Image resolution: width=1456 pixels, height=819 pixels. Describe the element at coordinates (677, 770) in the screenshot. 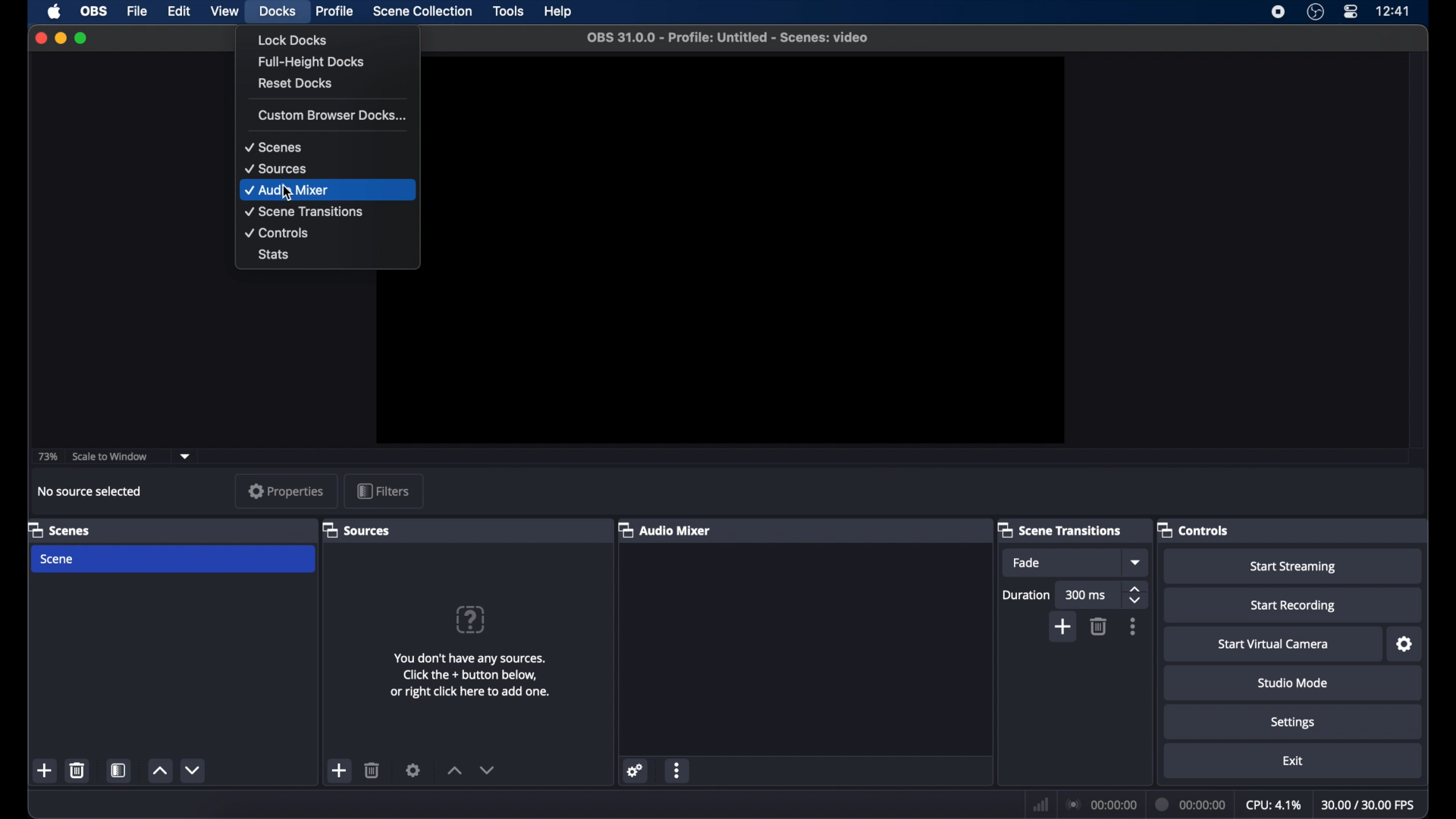

I see `more options` at that location.